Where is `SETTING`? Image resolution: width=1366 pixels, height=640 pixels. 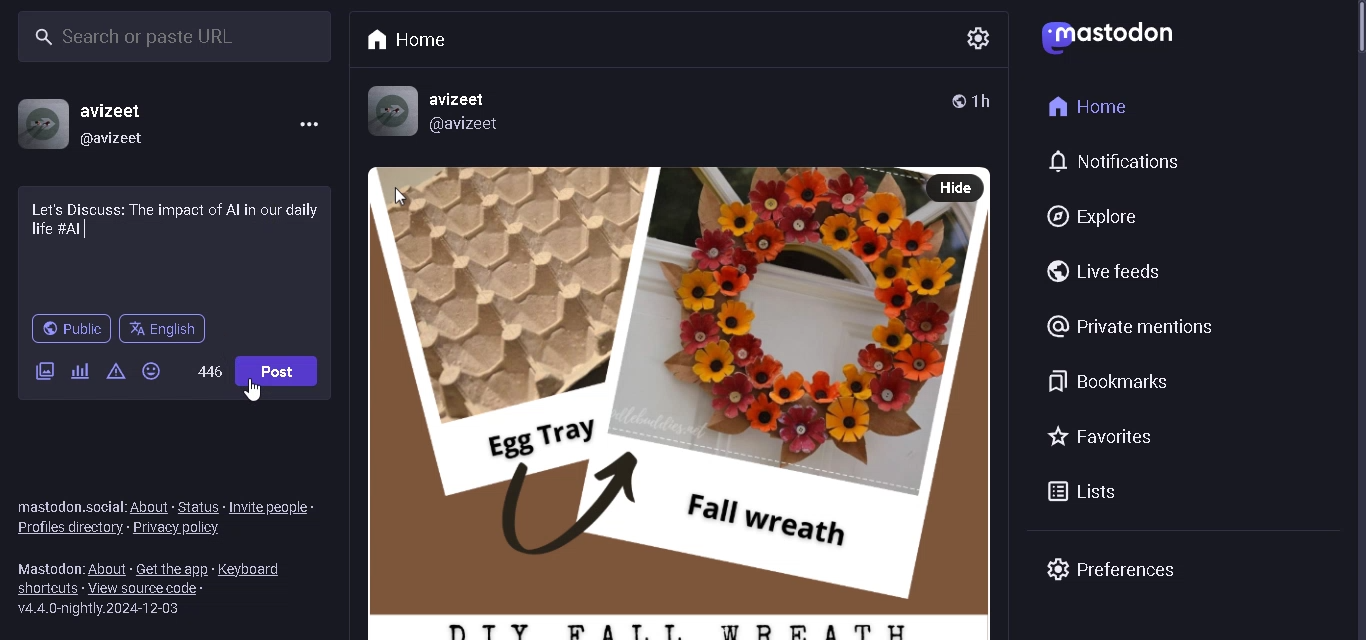
SETTING is located at coordinates (982, 40).